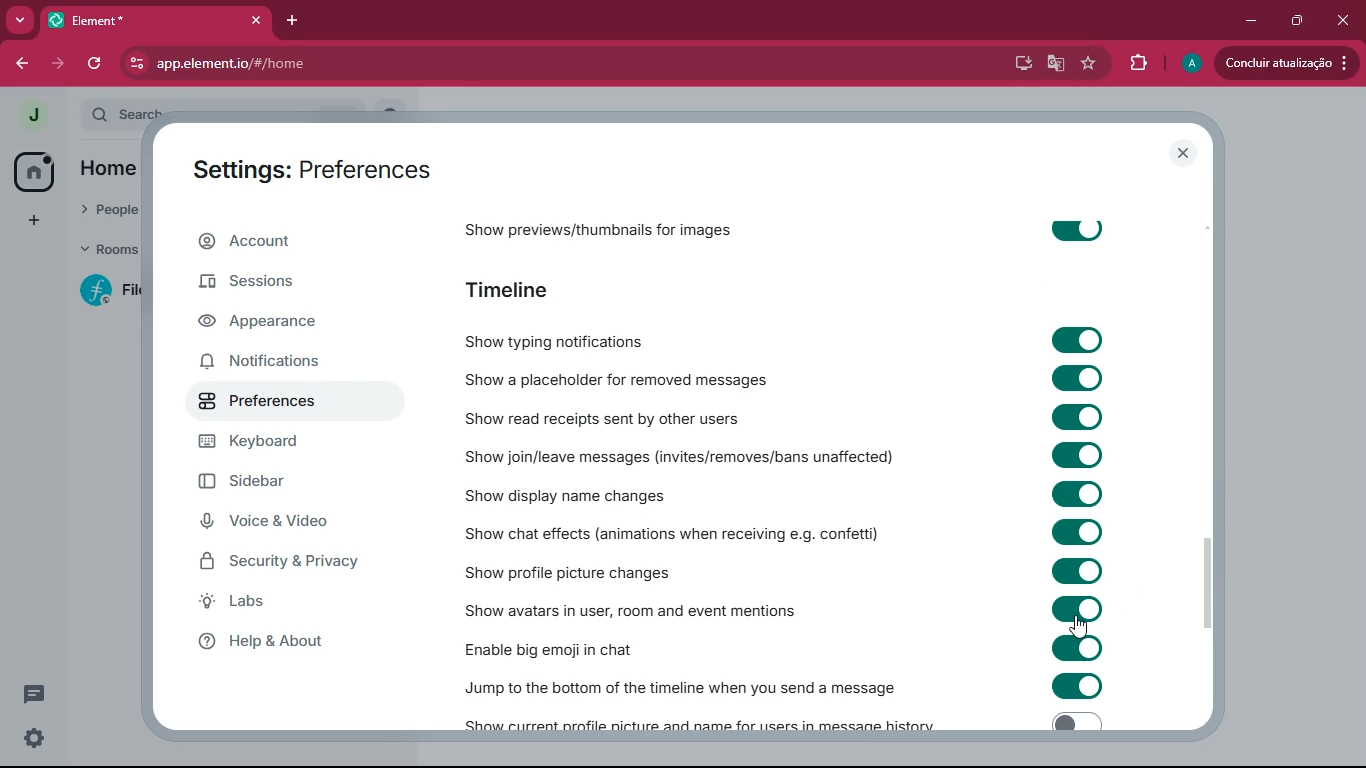 The width and height of the screenshot is (1366, 768). What do you see at coordinates (571, 495) in the screenshot?
I see `show display name changes` at bounding box center [571, 495].